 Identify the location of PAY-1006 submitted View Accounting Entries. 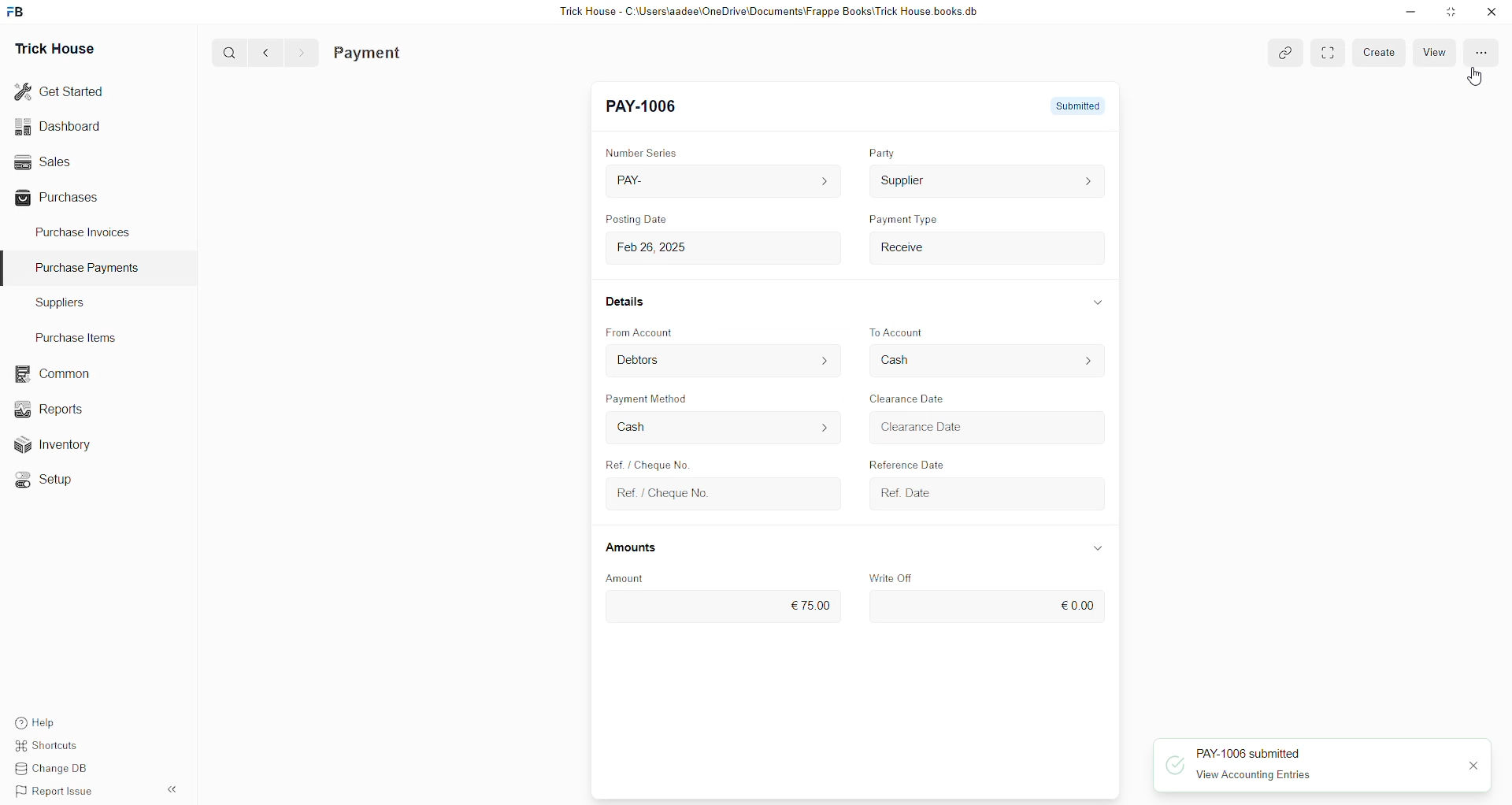
(1248, 763).